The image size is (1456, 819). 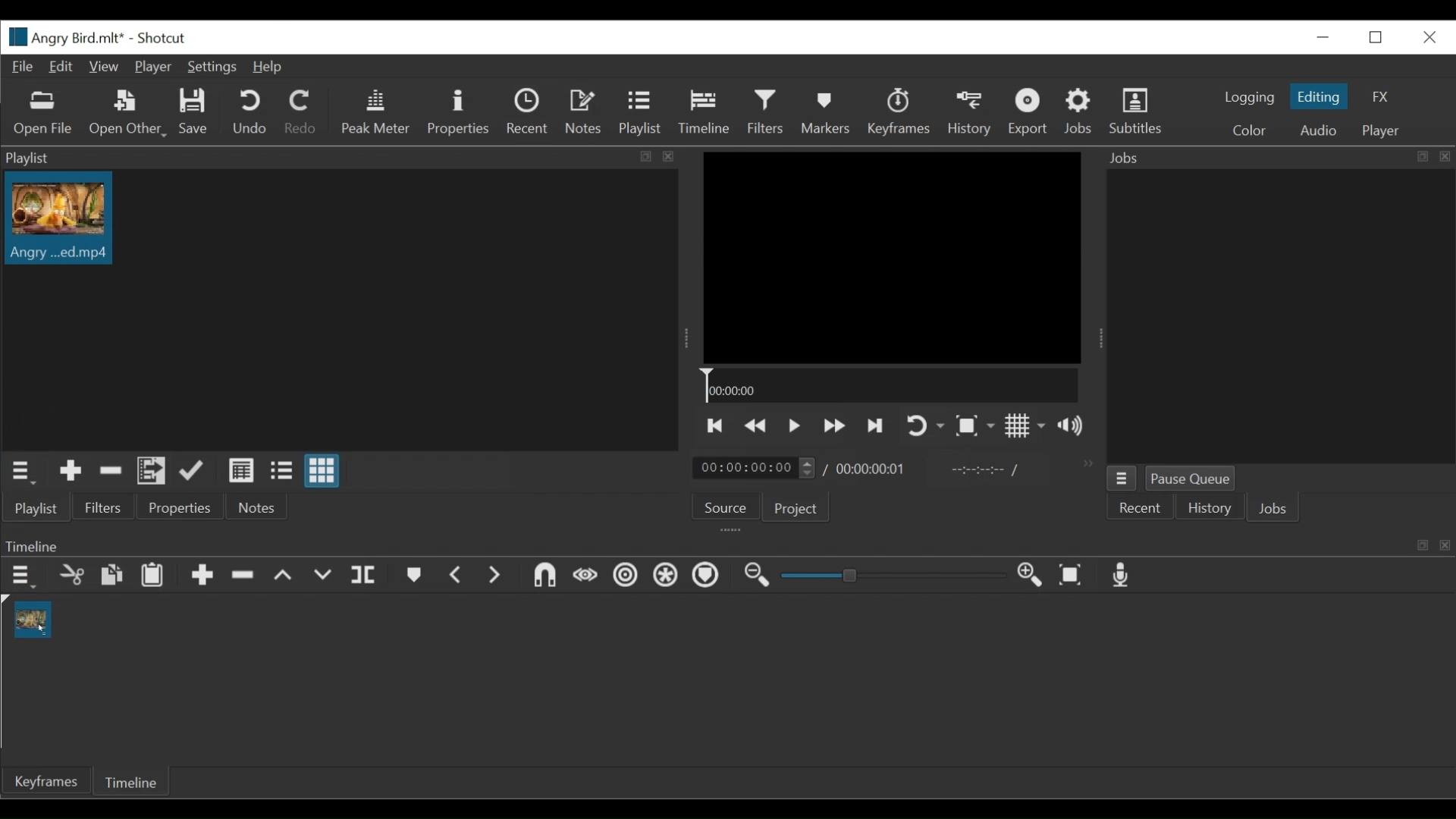 I want to click on Recent, so click(x=1140, y=509).